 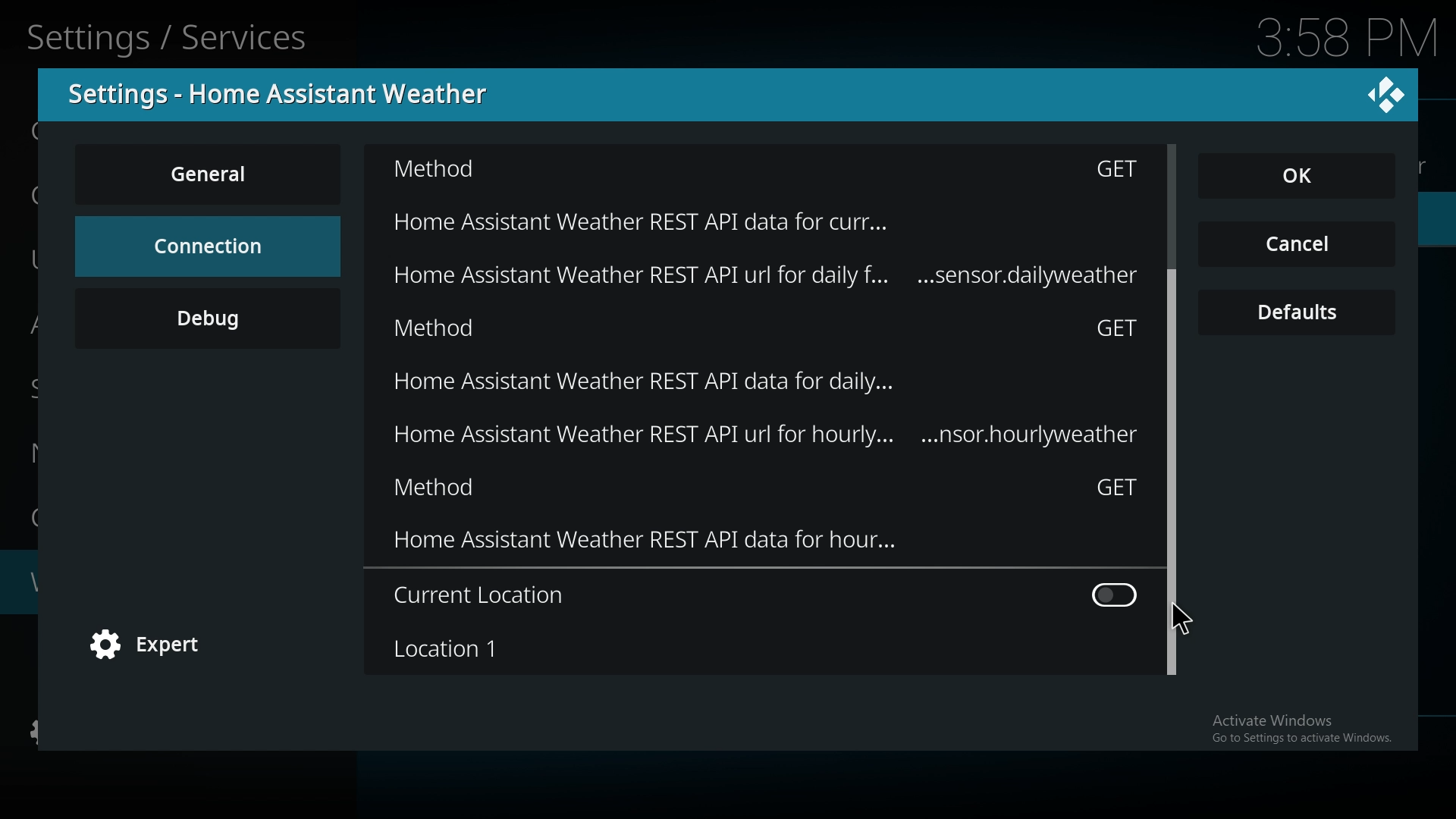 What do you see at coordinates (206, 246) in the screenshot?
I see `connection` at bounding box center [206, 246].